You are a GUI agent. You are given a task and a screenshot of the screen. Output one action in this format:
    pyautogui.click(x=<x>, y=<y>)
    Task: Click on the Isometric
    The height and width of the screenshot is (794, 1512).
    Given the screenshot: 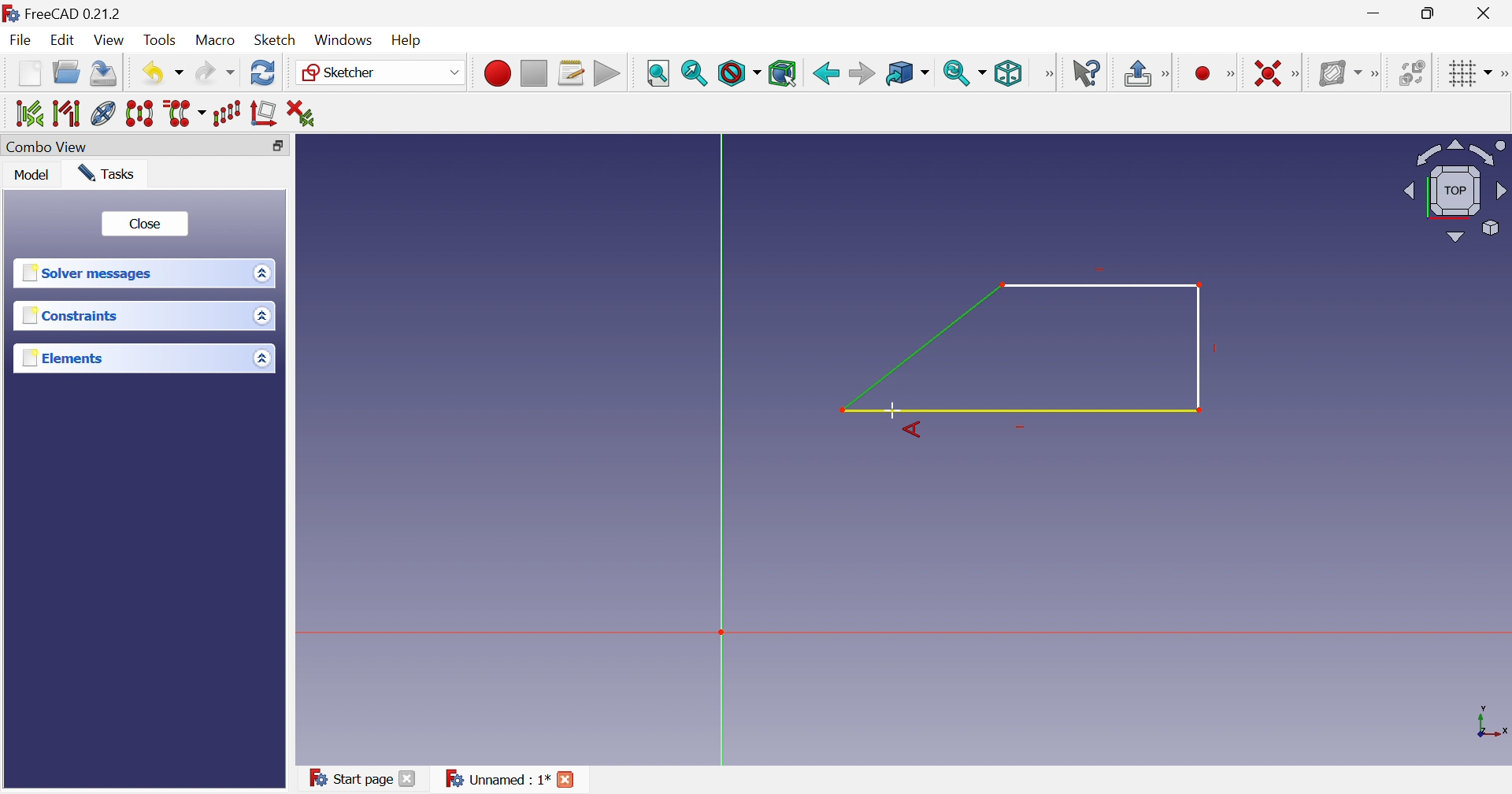 What is the action you would take?
    pyautogui.click(x=1010, y=73)
    